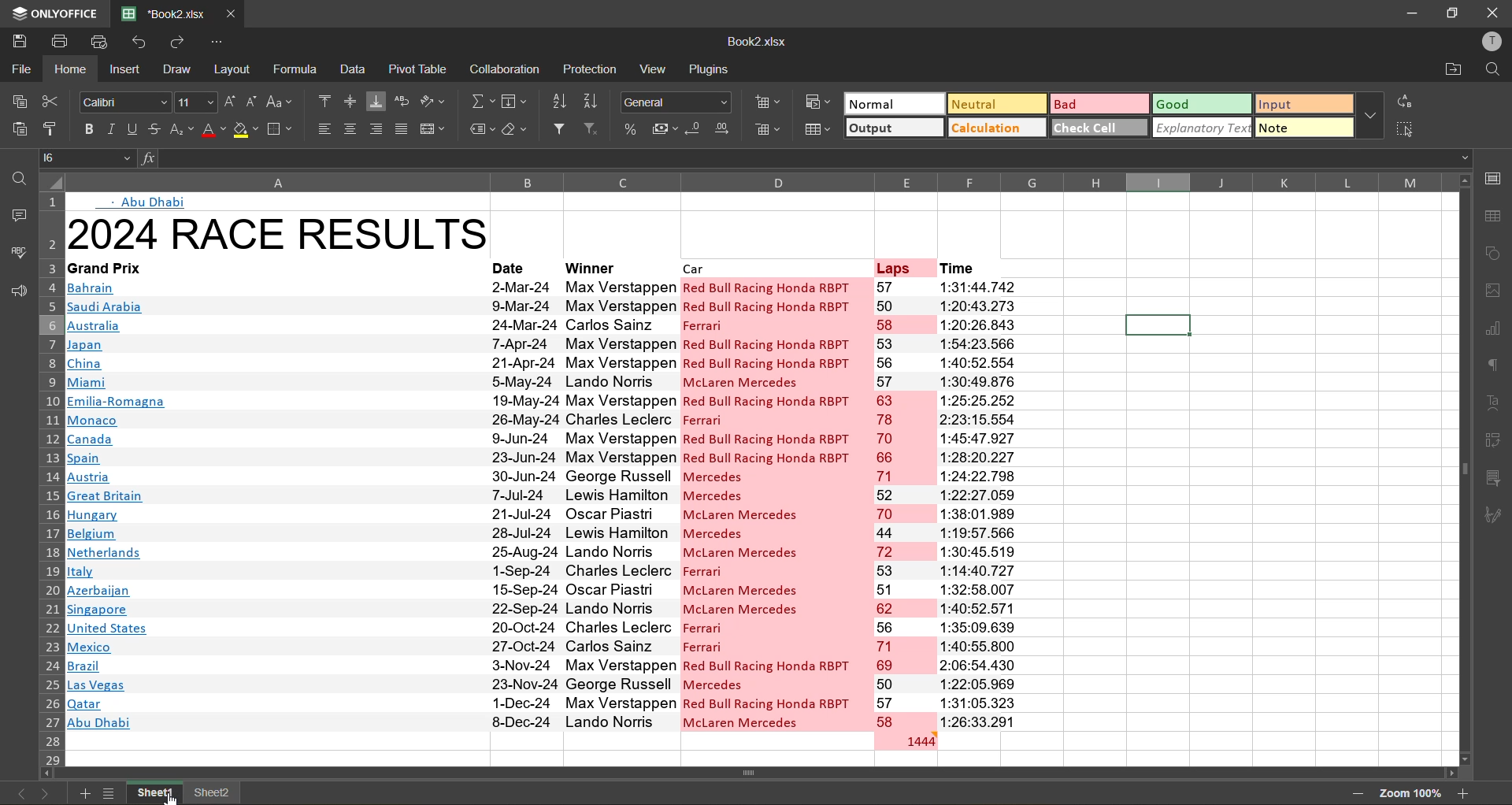 The height and width of the screenshot is (805, 1512). I want to click on plugins, so click(709, 67).